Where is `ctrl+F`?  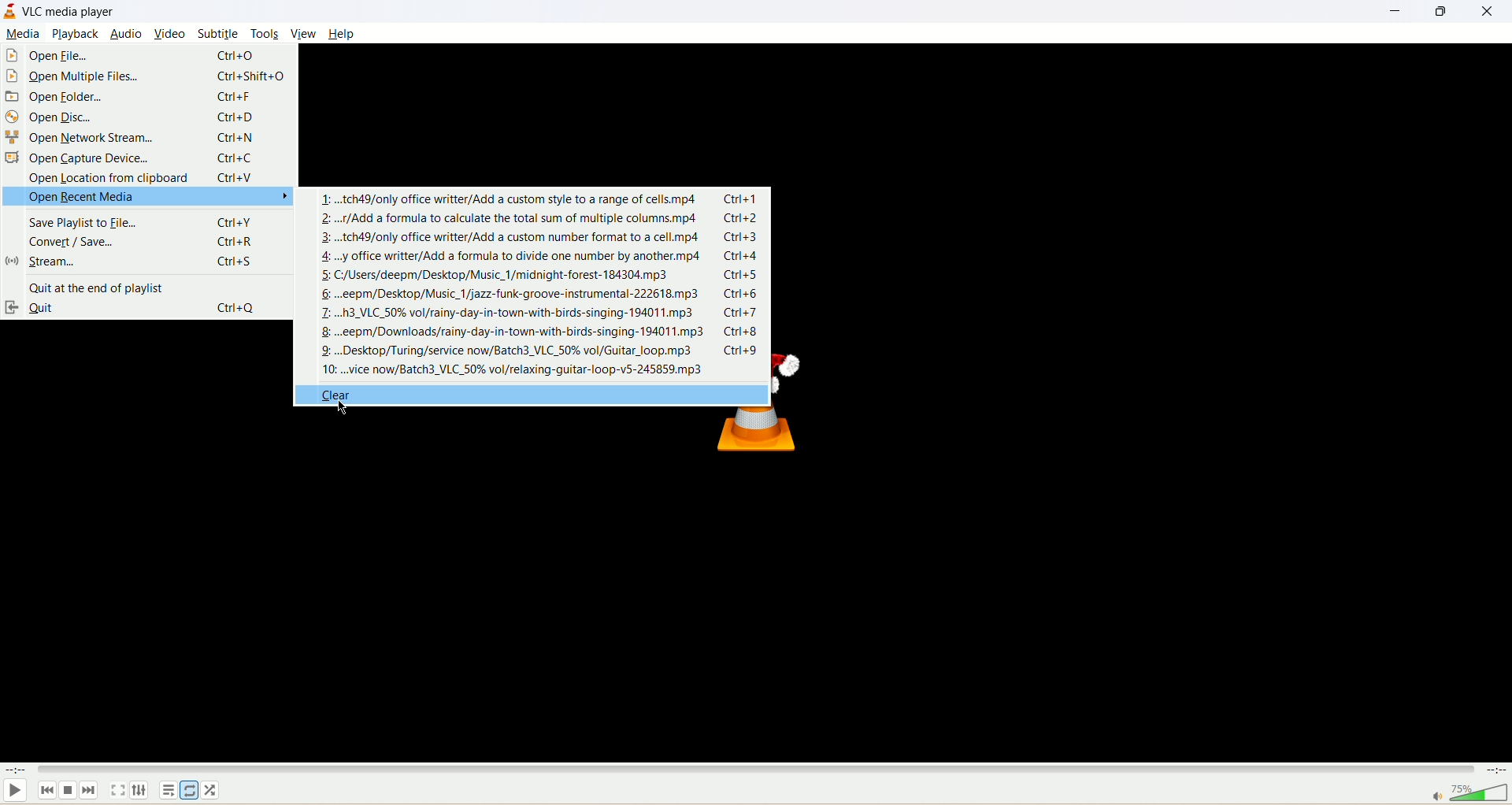 ctrl+F is located at coordinates (235, 97).